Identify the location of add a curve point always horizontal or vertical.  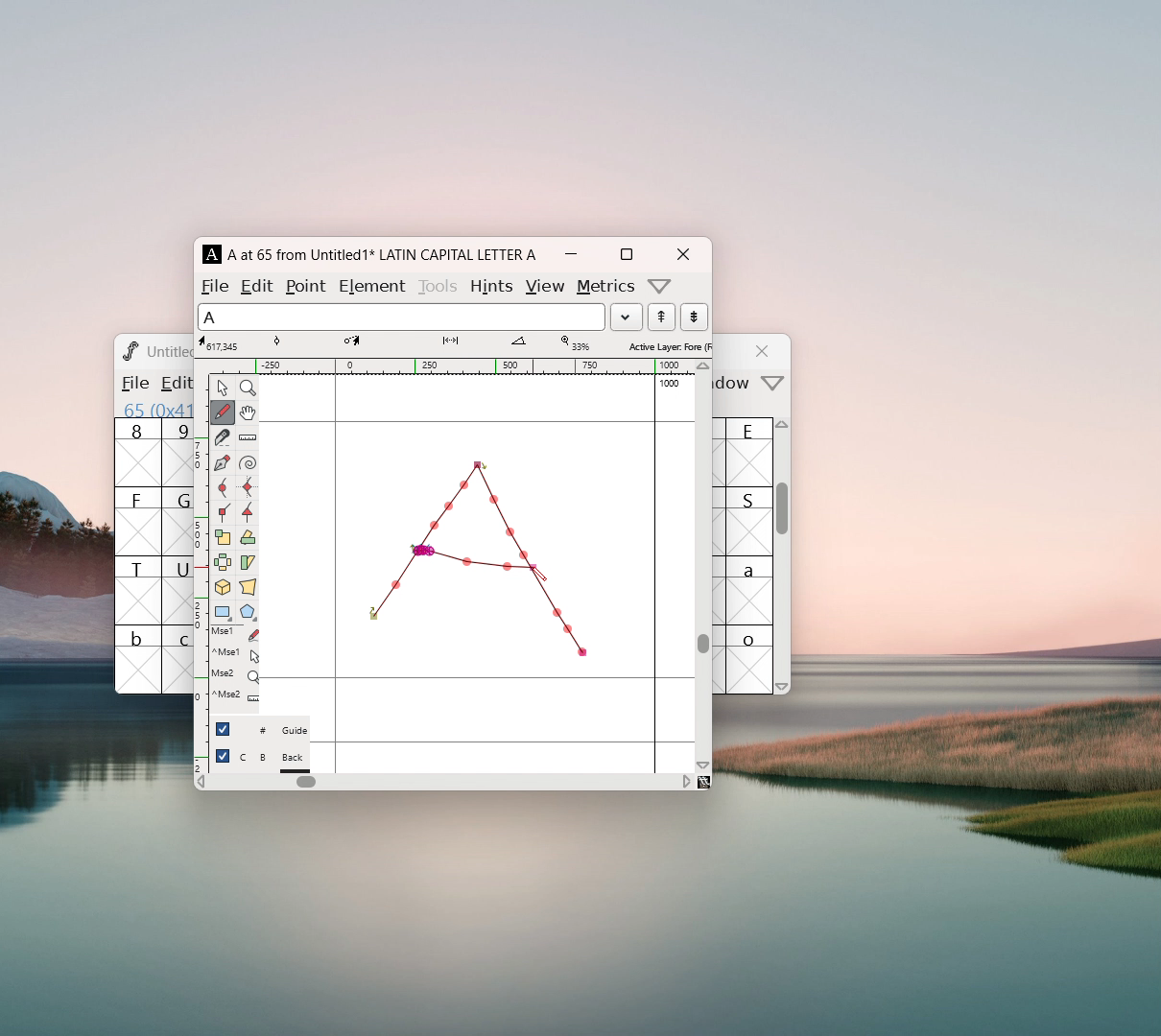
(248, 487).